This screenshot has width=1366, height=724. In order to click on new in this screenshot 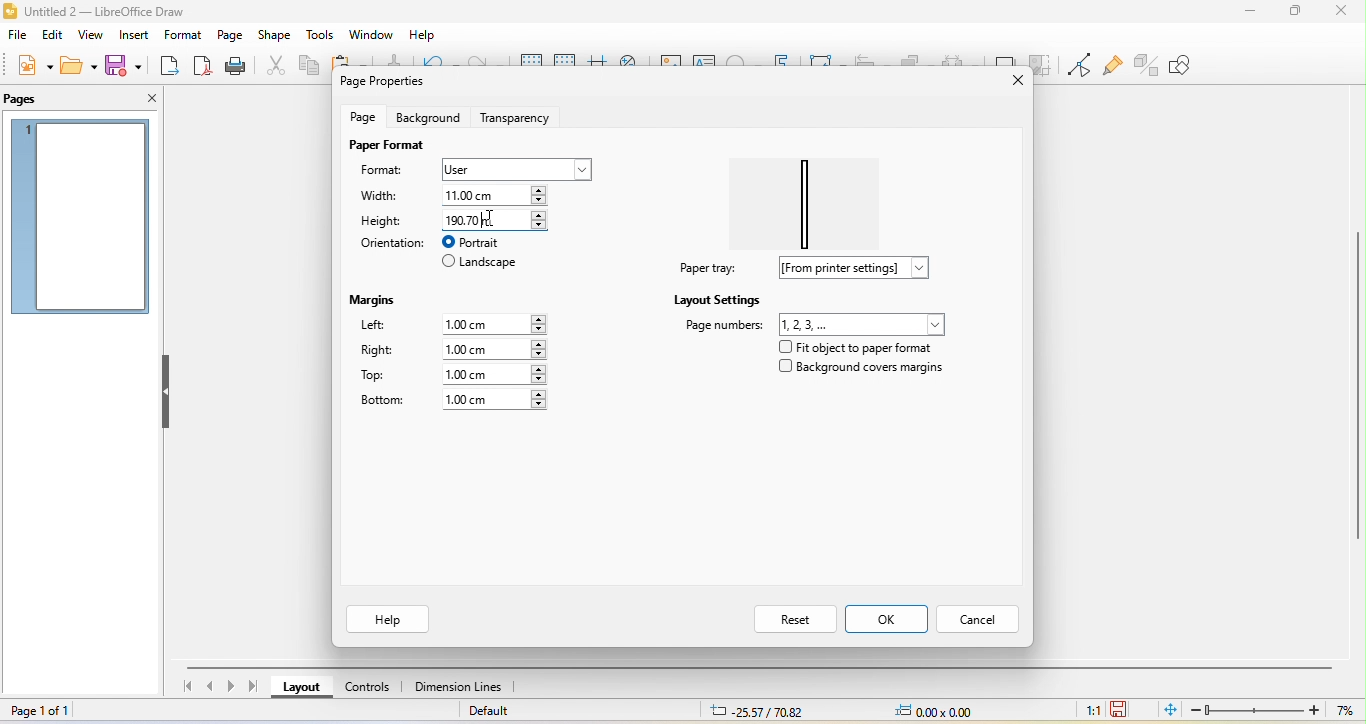, I will do `click(32, 66)`.